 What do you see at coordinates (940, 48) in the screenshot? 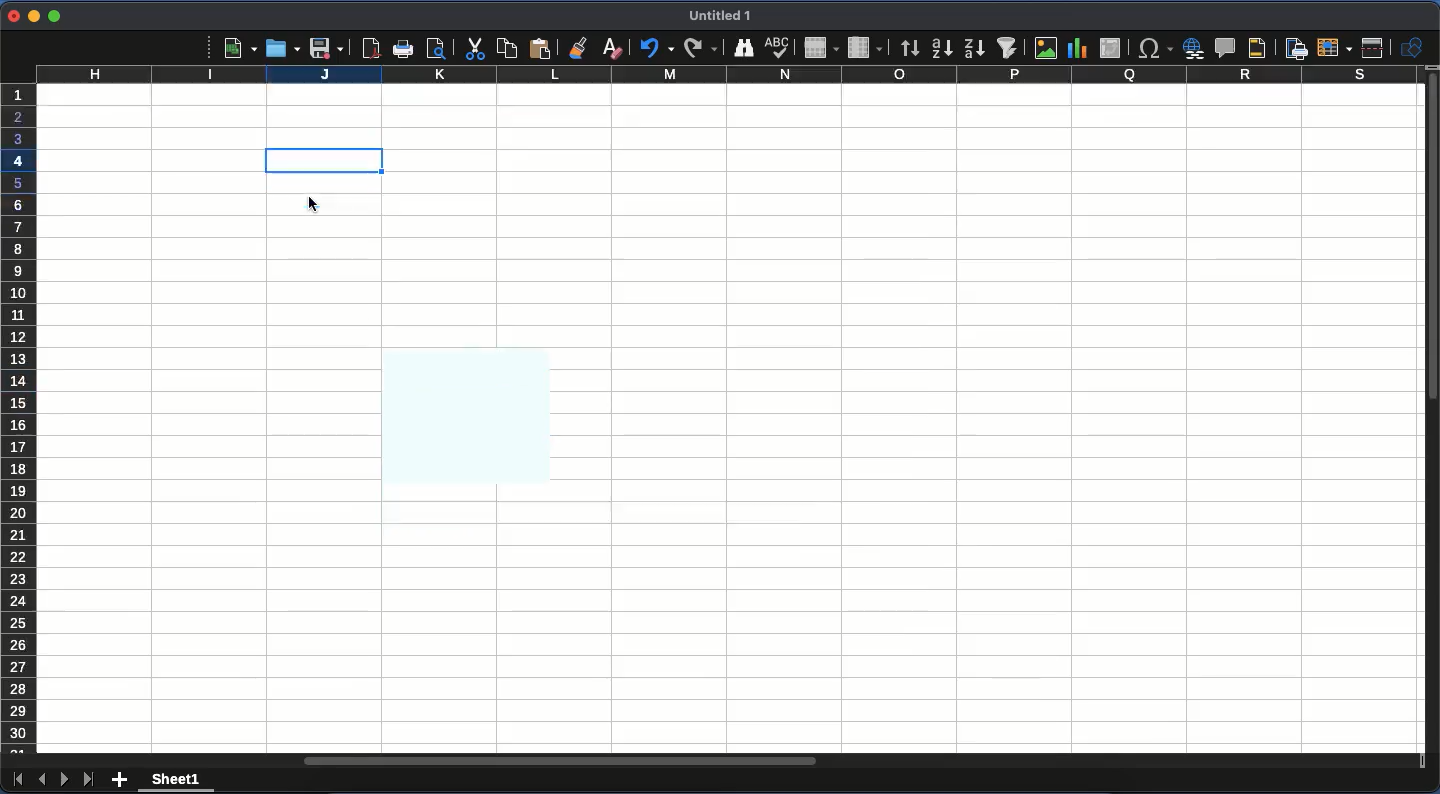
I see `ascending` at bounding box center [940, 48].